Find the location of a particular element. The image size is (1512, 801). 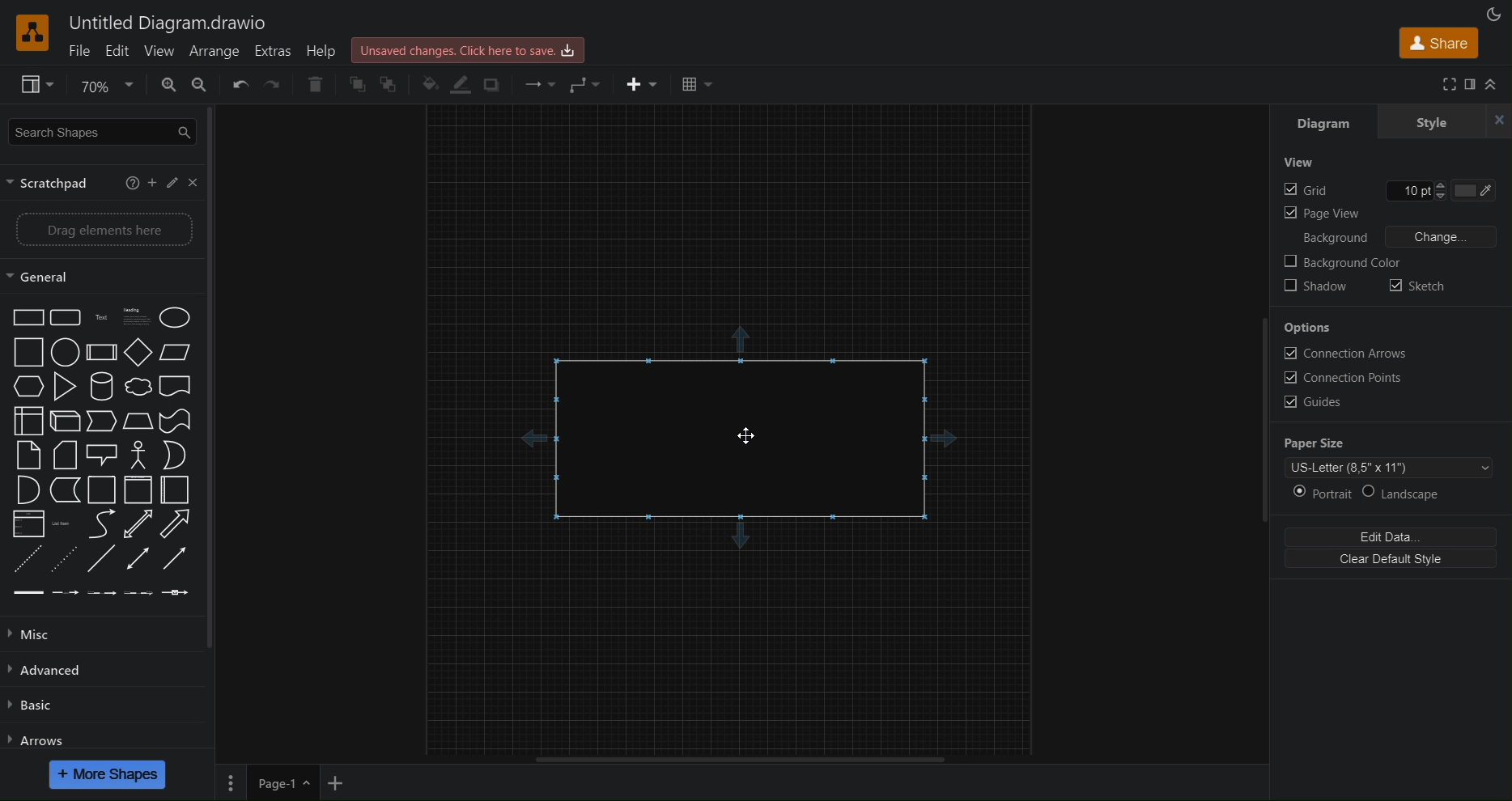

Shadow is located at coordinates (1319, 287).